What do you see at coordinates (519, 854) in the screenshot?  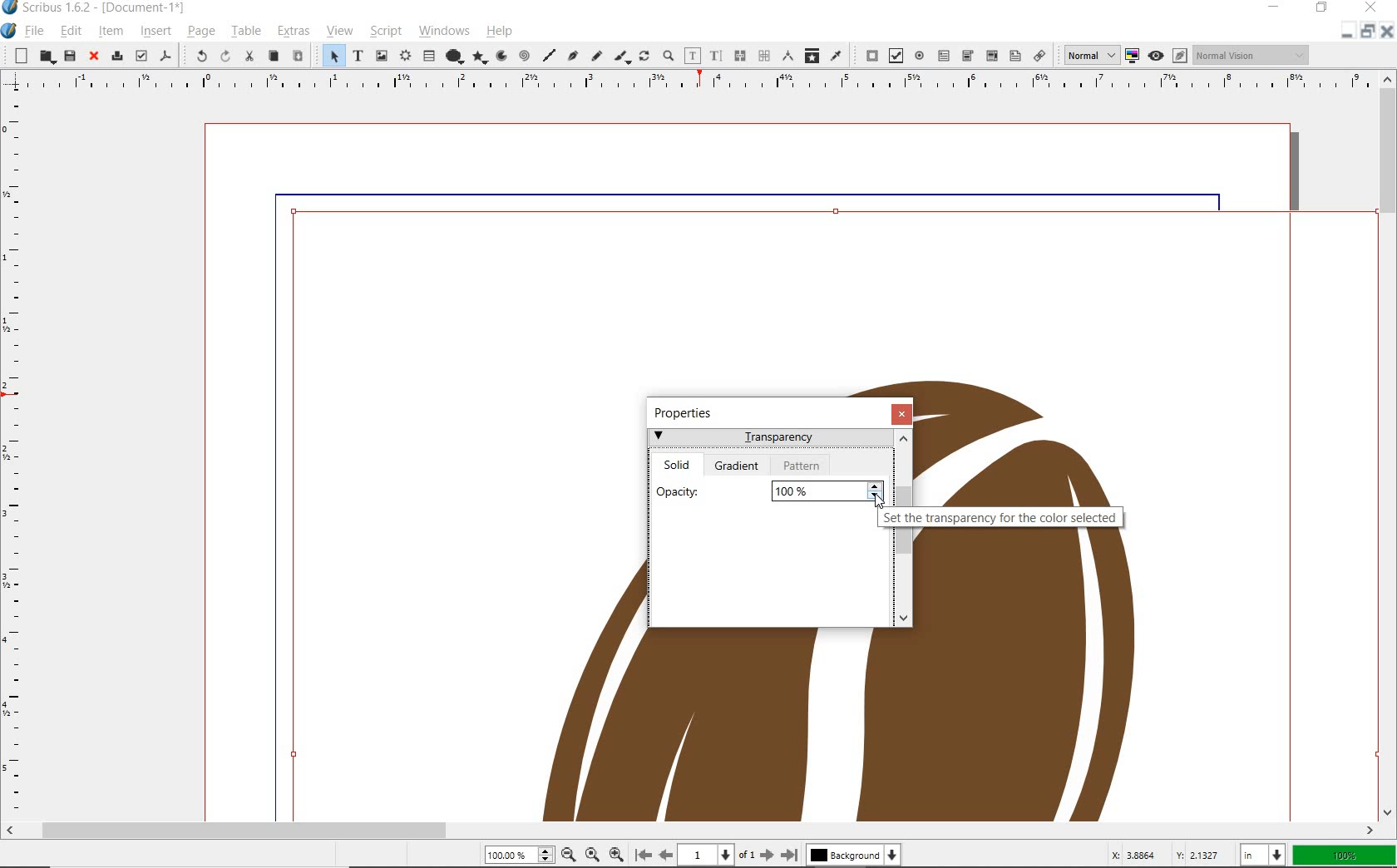 I see `Zoom 100.00%` at bounding box center [519, 854].